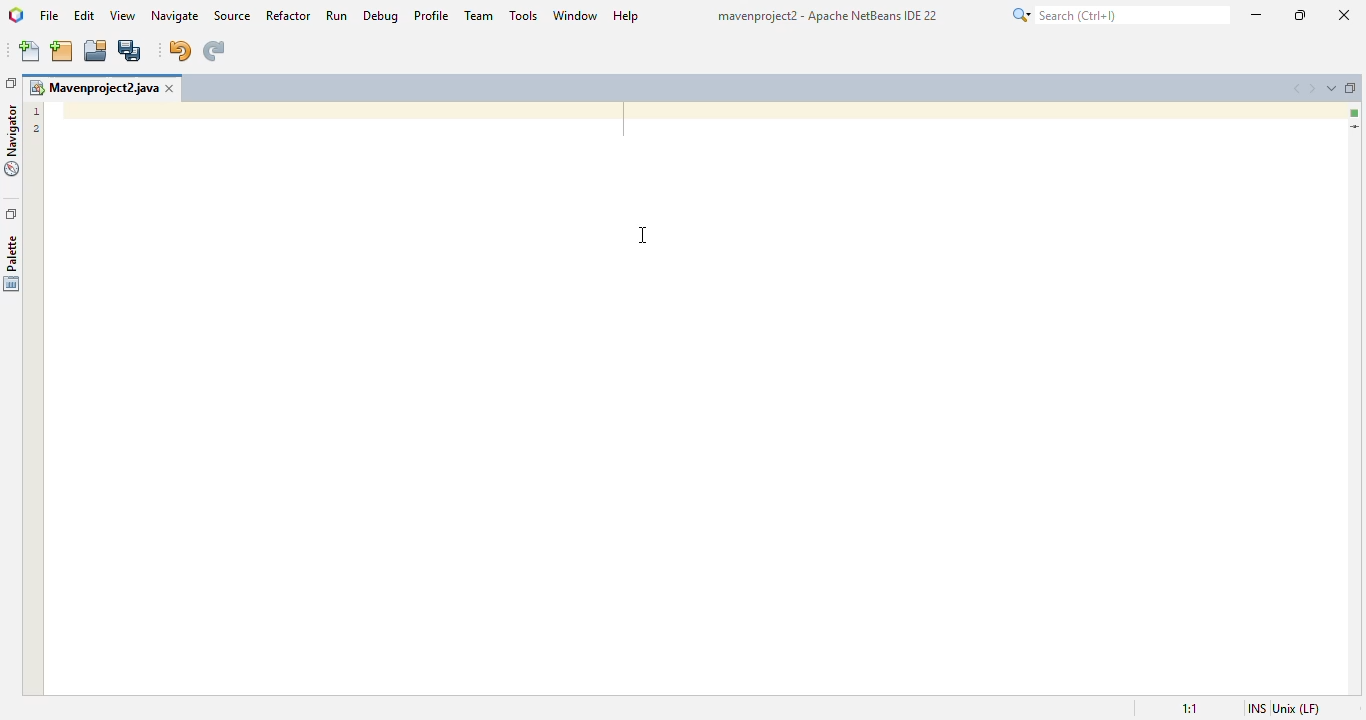 This screenshot has width=1366, height=720. Describe the element at coordinates (11, 83) in the screenshot. I see `restore window group` at that location.